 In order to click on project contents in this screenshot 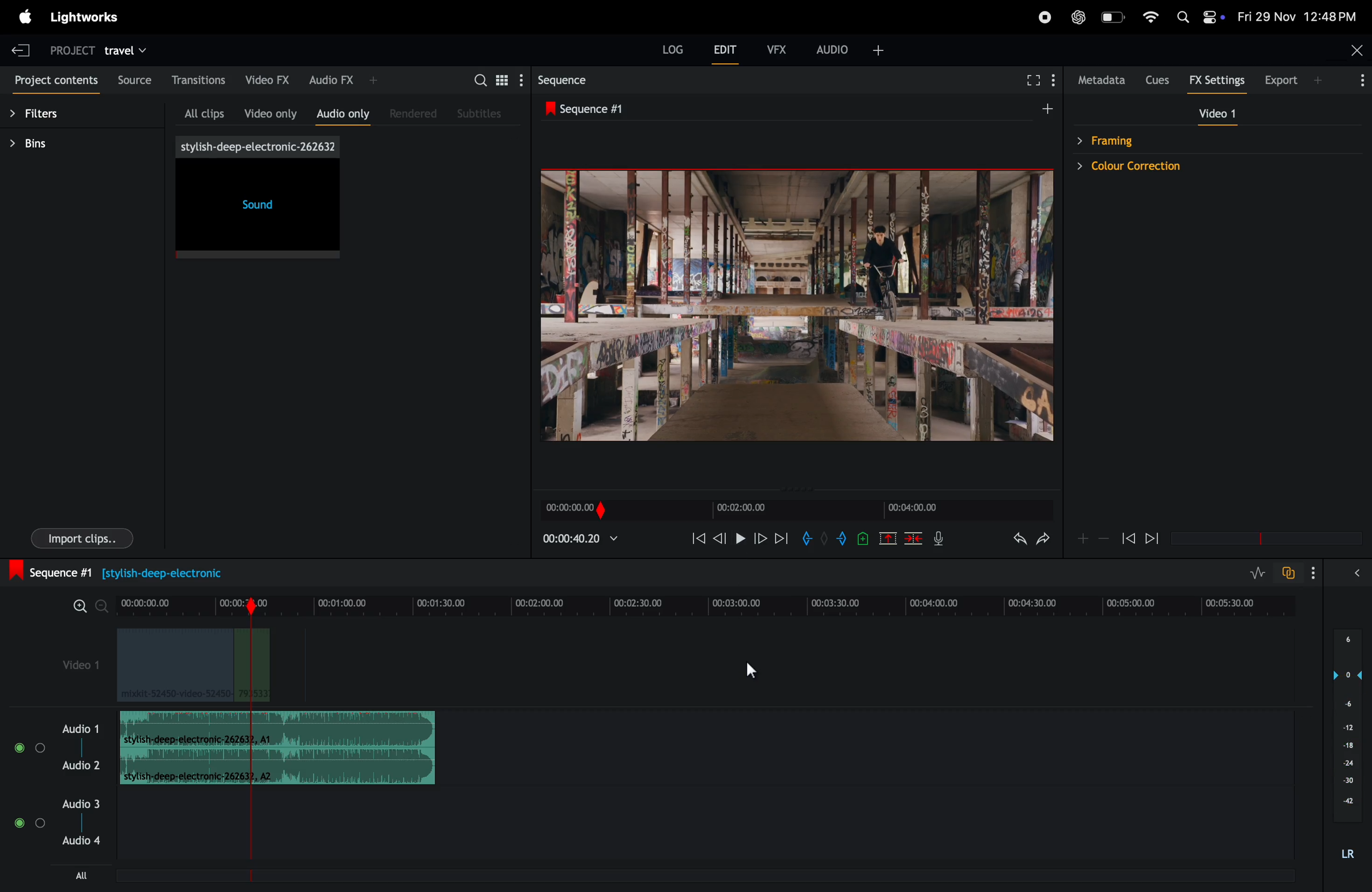, I will do `click(54, 82)`.